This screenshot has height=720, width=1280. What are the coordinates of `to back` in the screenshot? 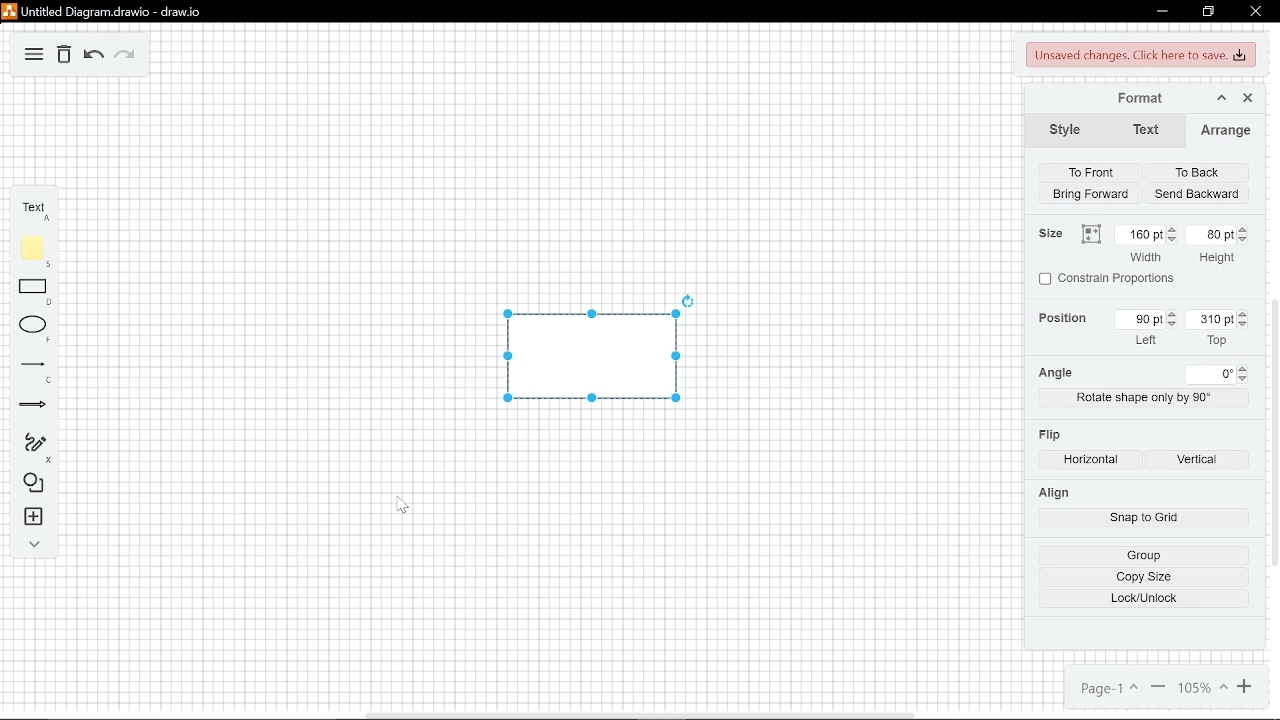 It's located at (1199, 172).